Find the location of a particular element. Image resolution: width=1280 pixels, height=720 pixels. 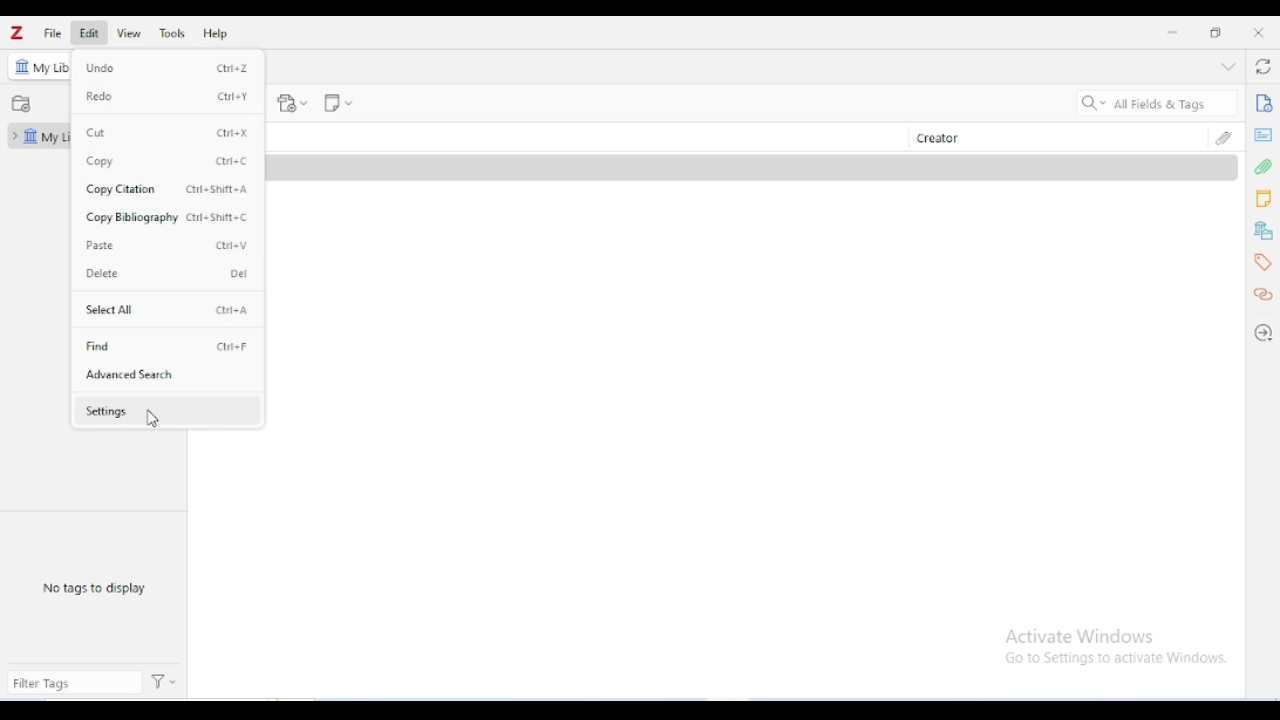

maximize is located at coordinates (1215, 32).